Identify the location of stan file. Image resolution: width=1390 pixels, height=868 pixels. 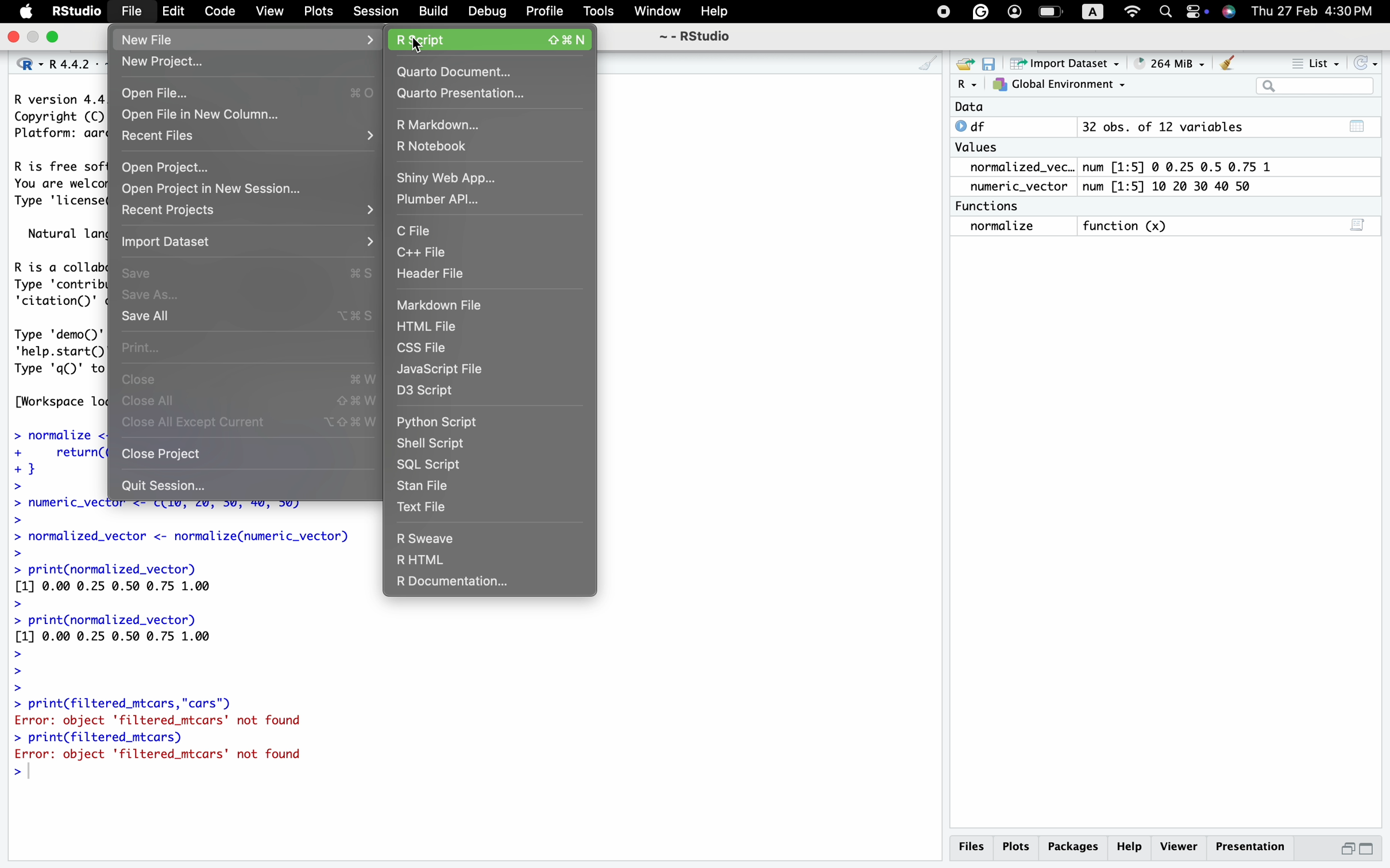
(490, 488).